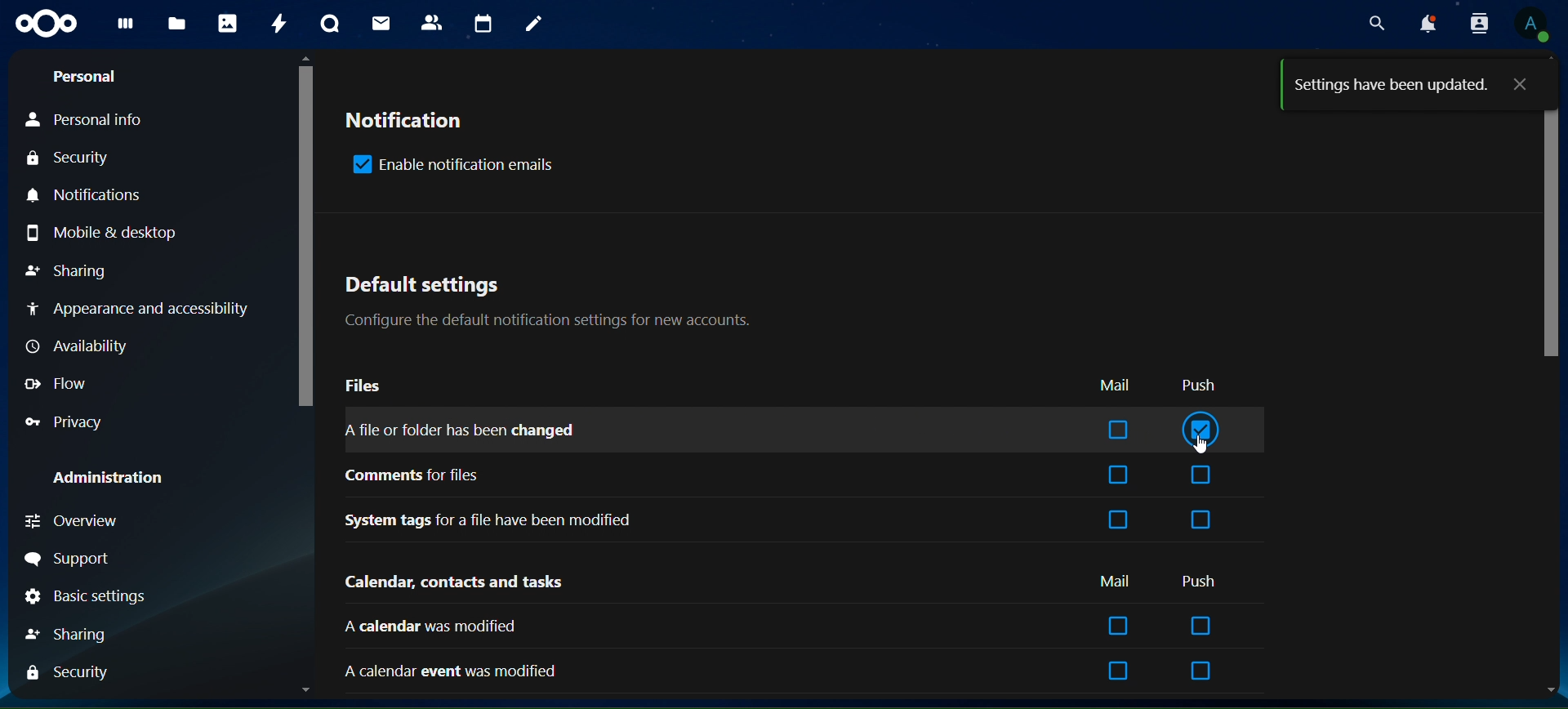 The image size is (1568, 709). Describe the element at coordinates (1119, 626) in the screenshot. I see `box` at that location.